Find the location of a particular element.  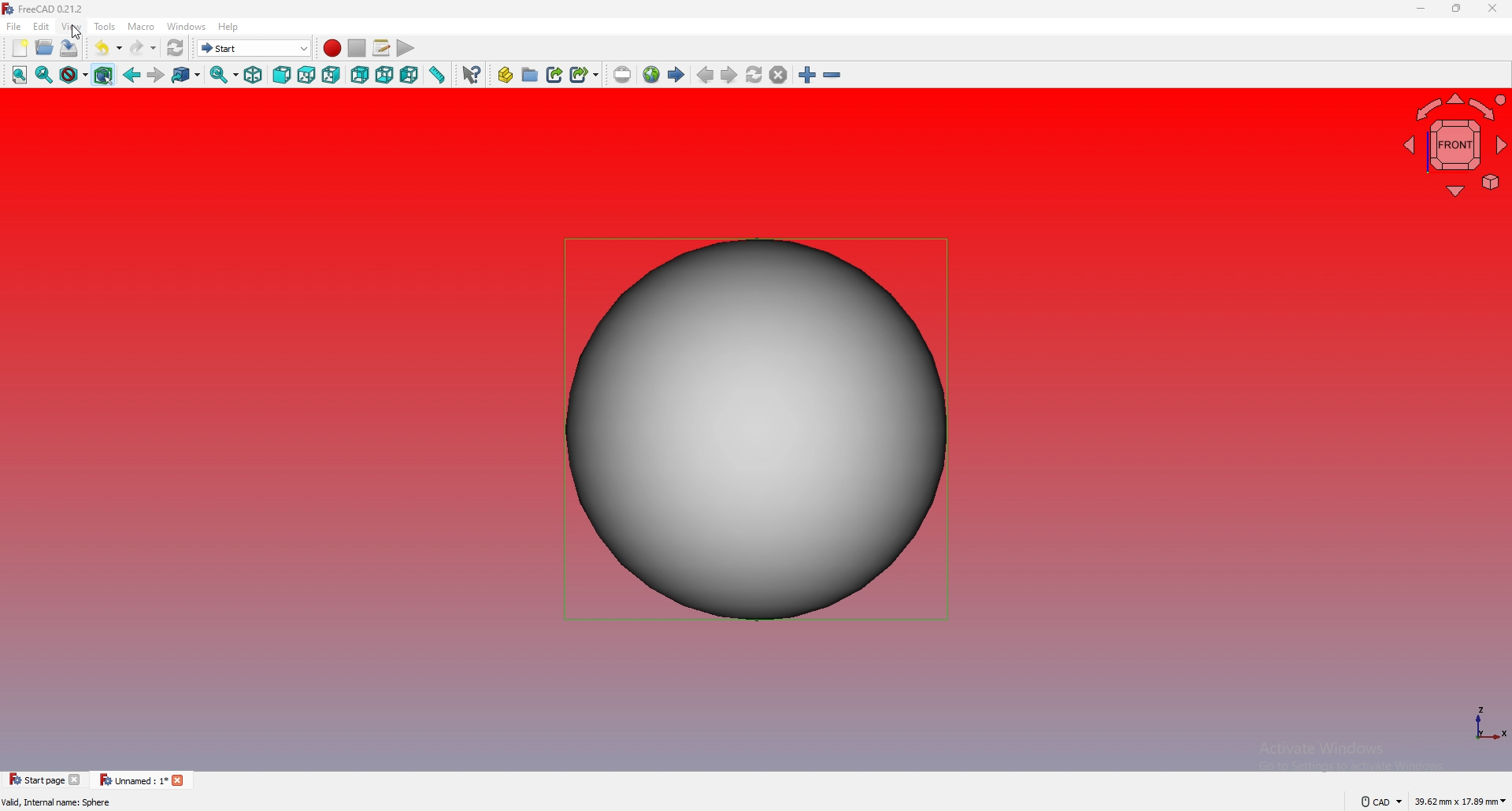

create link is located at coordinates (555, 75).